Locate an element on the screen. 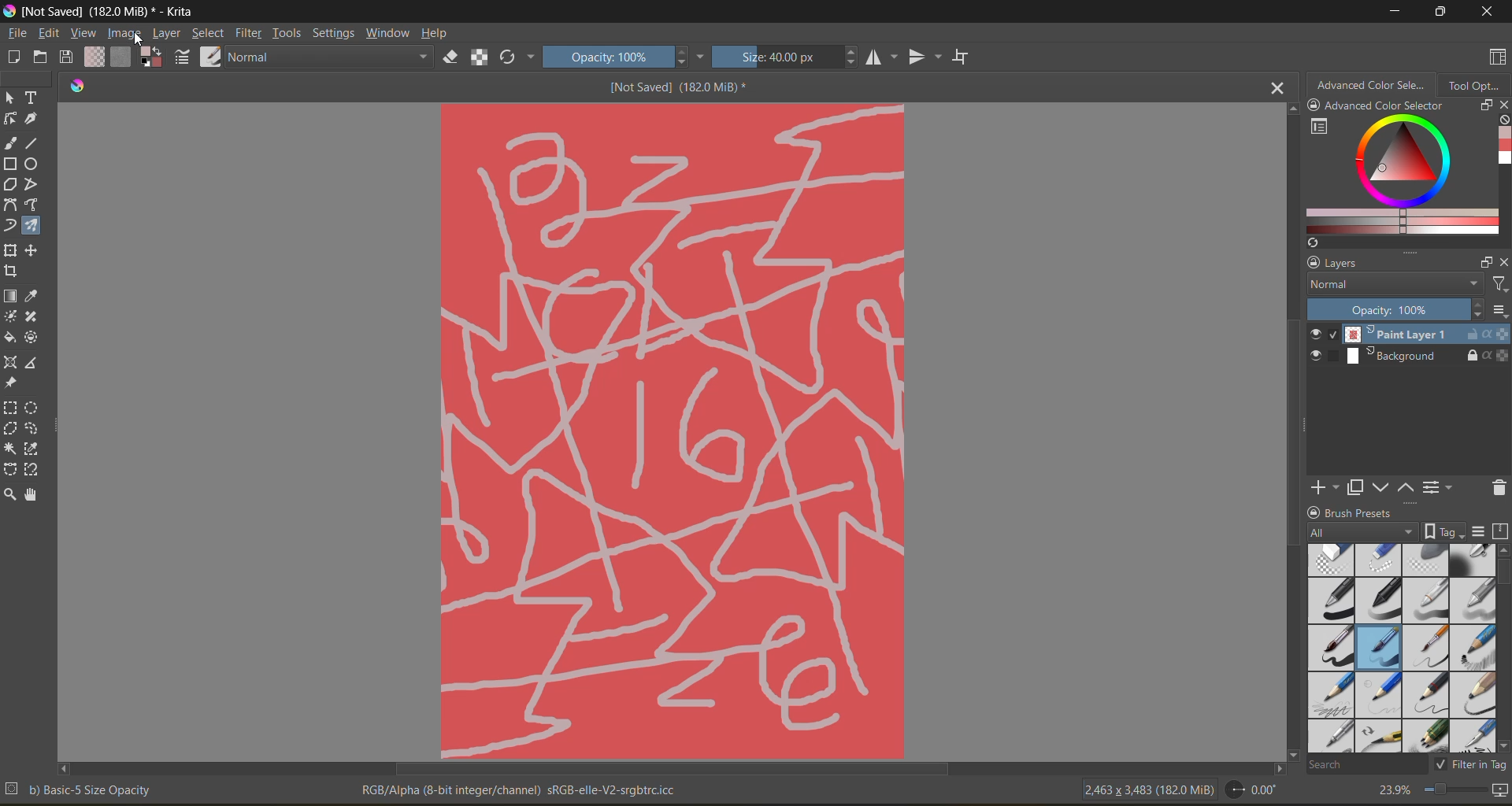 This screenshot has width=1512, height=806. save is located at coordinates (69, 58).